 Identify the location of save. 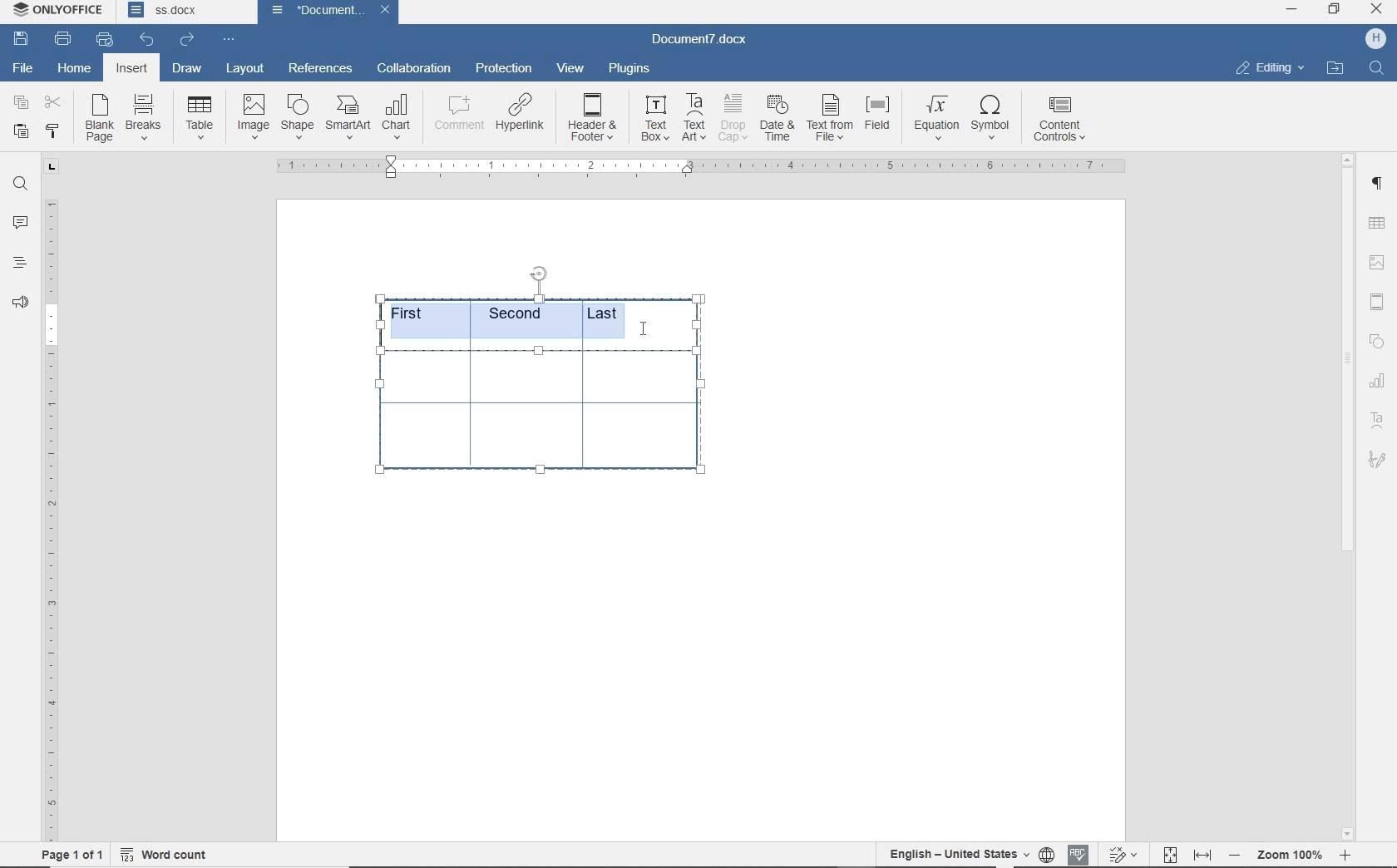
(24, 40).